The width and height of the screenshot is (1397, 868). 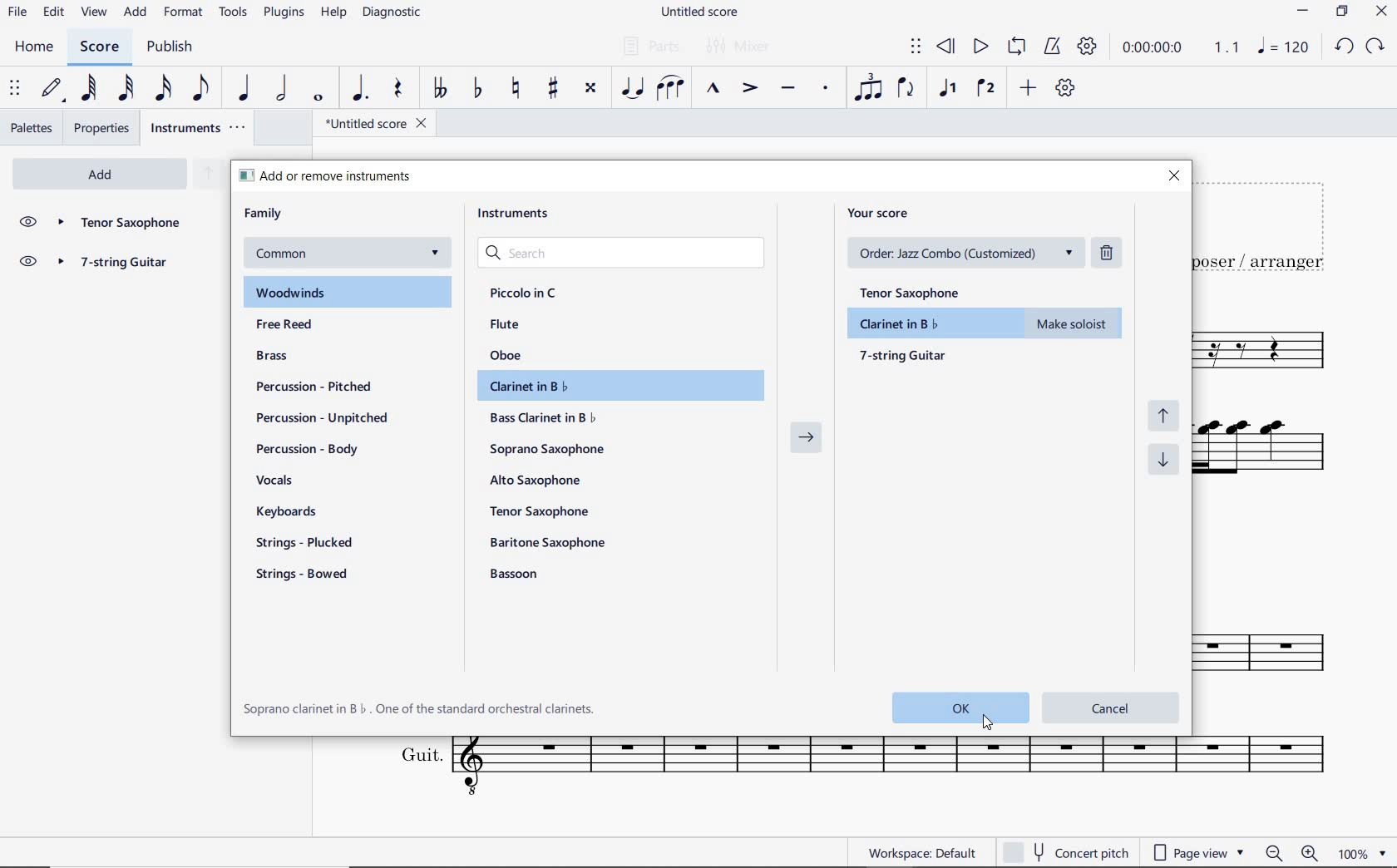 I want to click on SELECT TO MOVE, so click(x=916, y=49).